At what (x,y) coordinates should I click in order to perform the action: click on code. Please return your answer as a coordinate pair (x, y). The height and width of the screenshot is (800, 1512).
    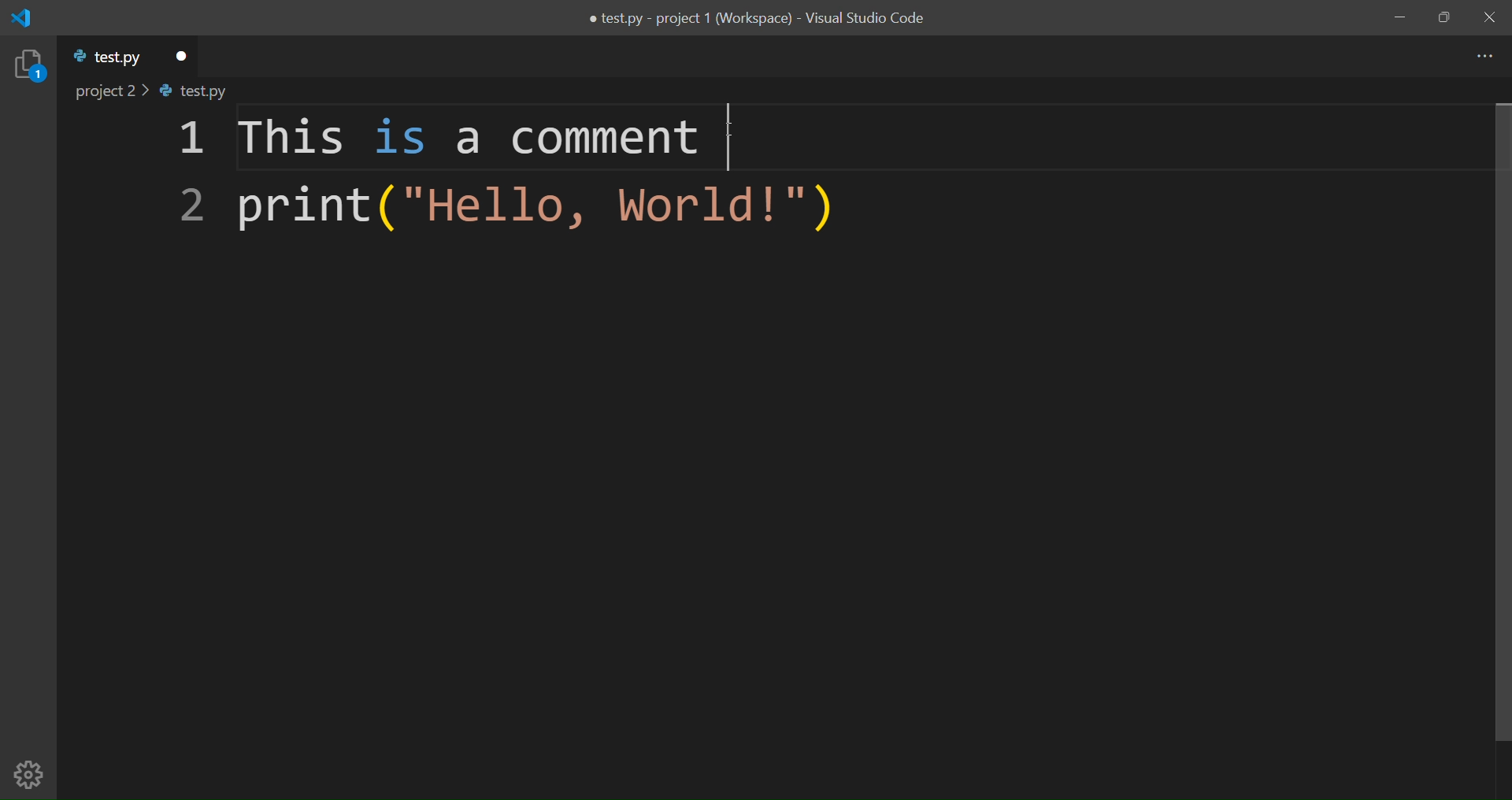
    Looking at the image, I should click on (468, 187).